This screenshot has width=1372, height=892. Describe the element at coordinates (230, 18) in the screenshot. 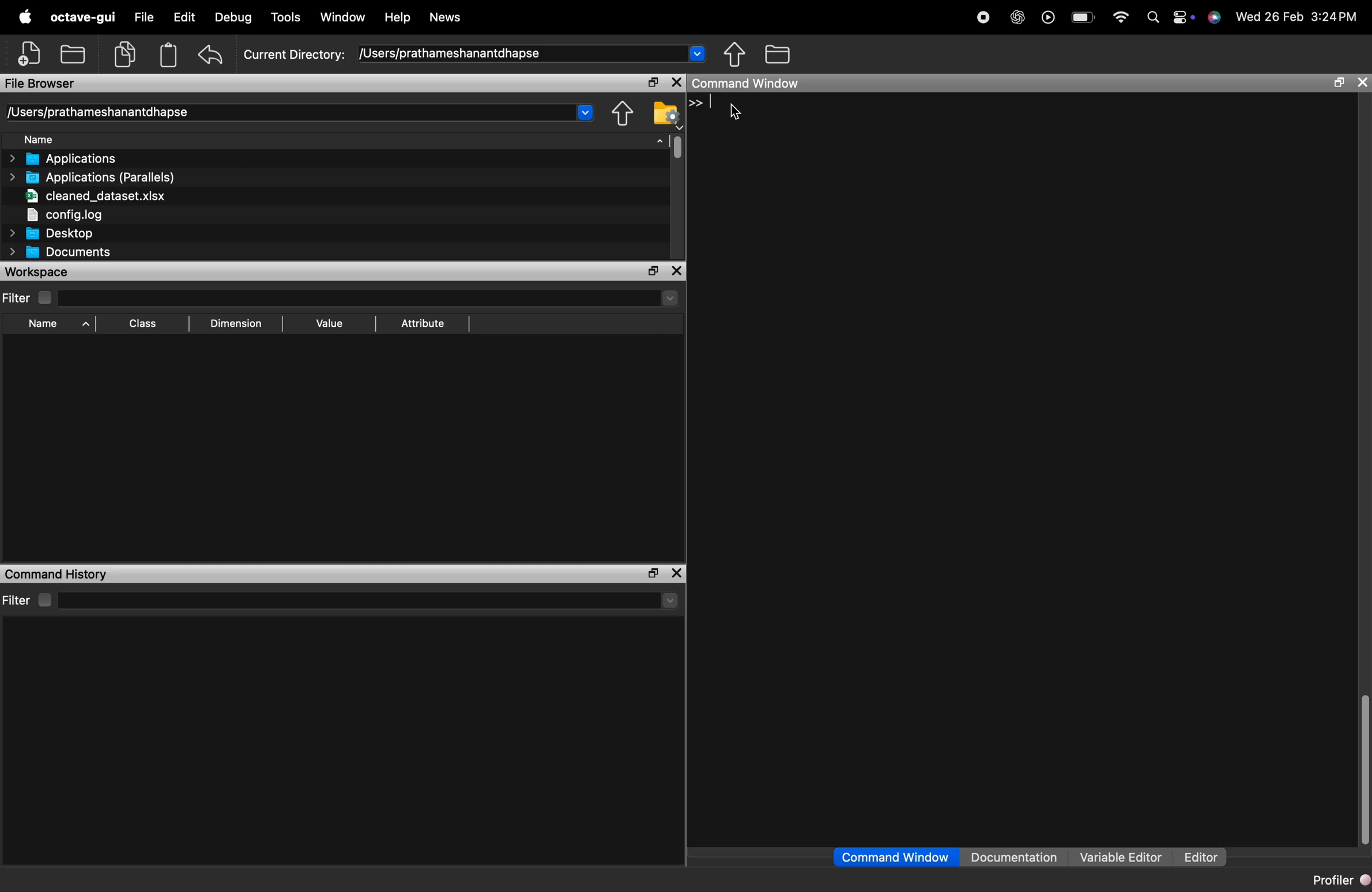

I see `Debug` at that location.